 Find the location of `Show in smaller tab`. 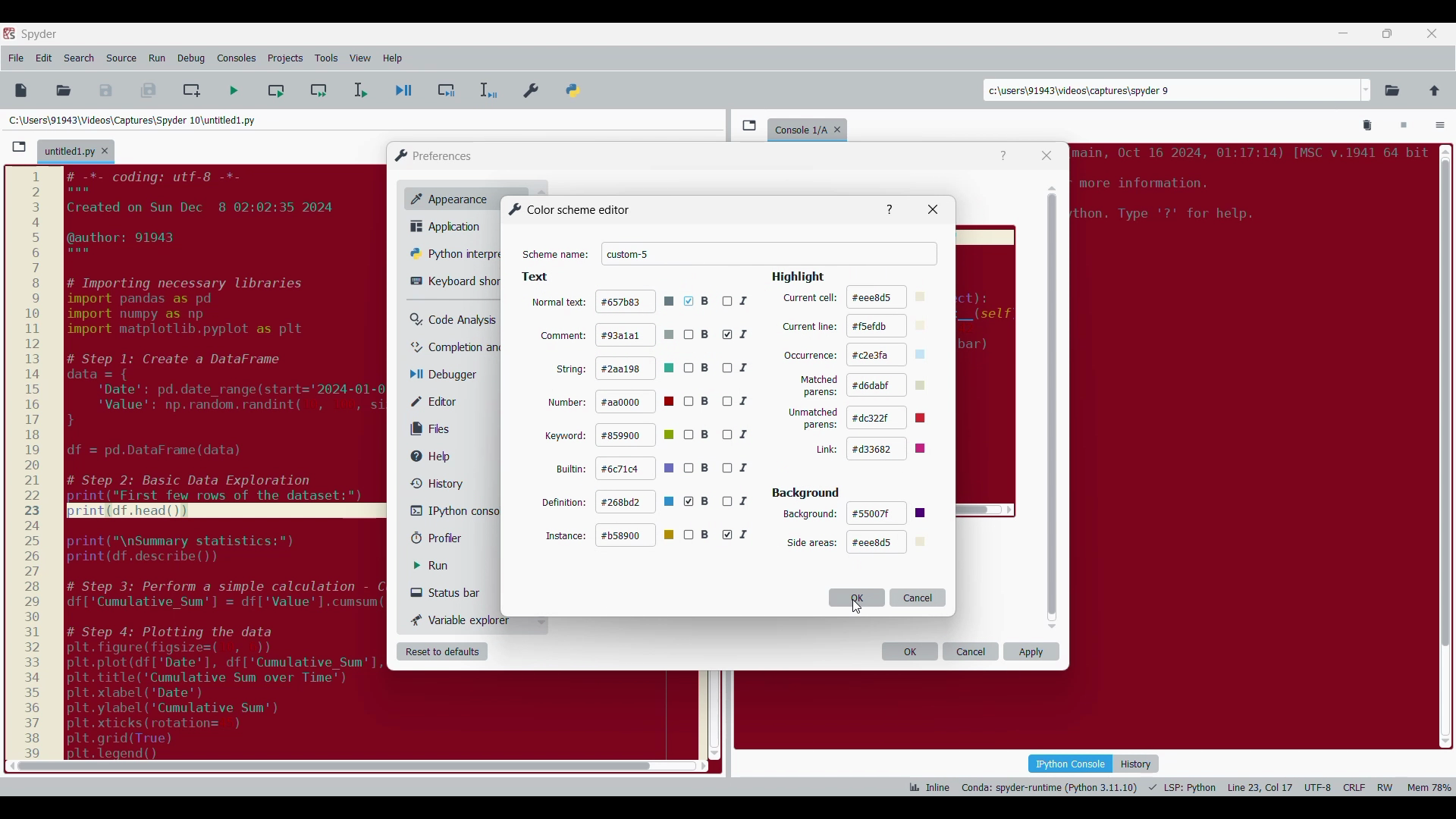

Show in smaller tab is located at coordinates (1387, 33).